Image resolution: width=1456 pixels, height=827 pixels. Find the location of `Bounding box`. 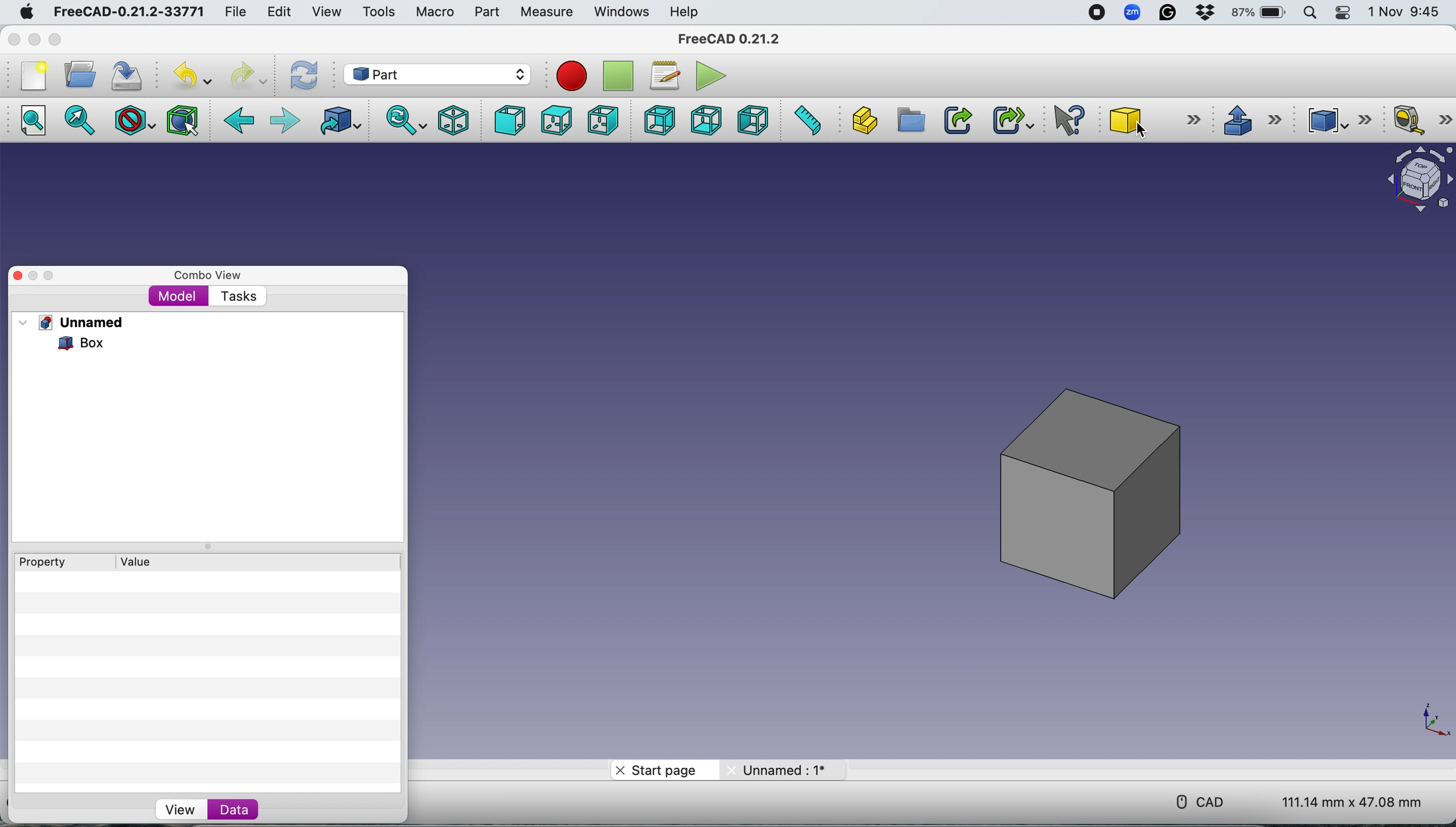

Bounding box is located at coordinates (184, 119).